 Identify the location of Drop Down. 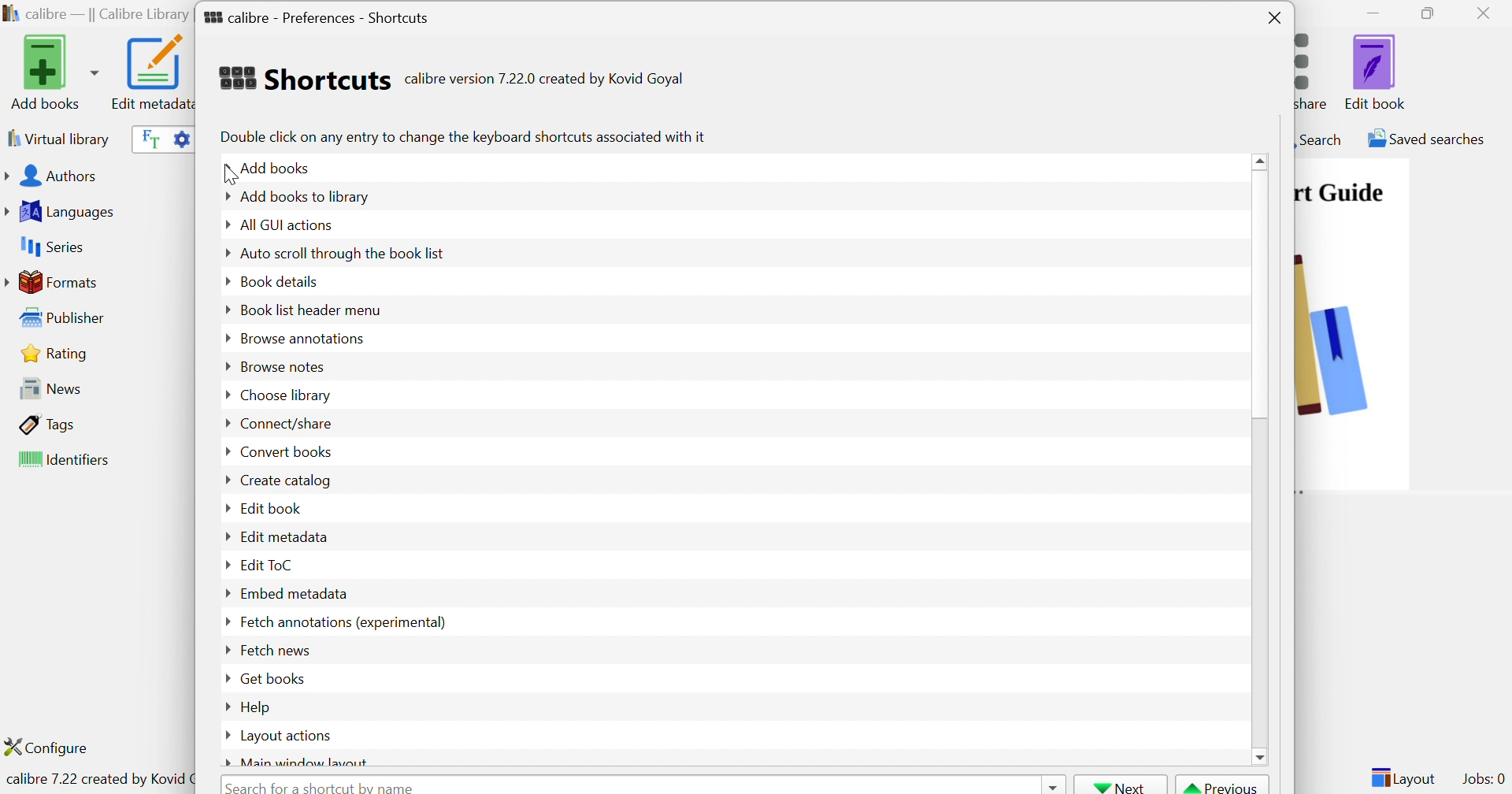
(223, 595).